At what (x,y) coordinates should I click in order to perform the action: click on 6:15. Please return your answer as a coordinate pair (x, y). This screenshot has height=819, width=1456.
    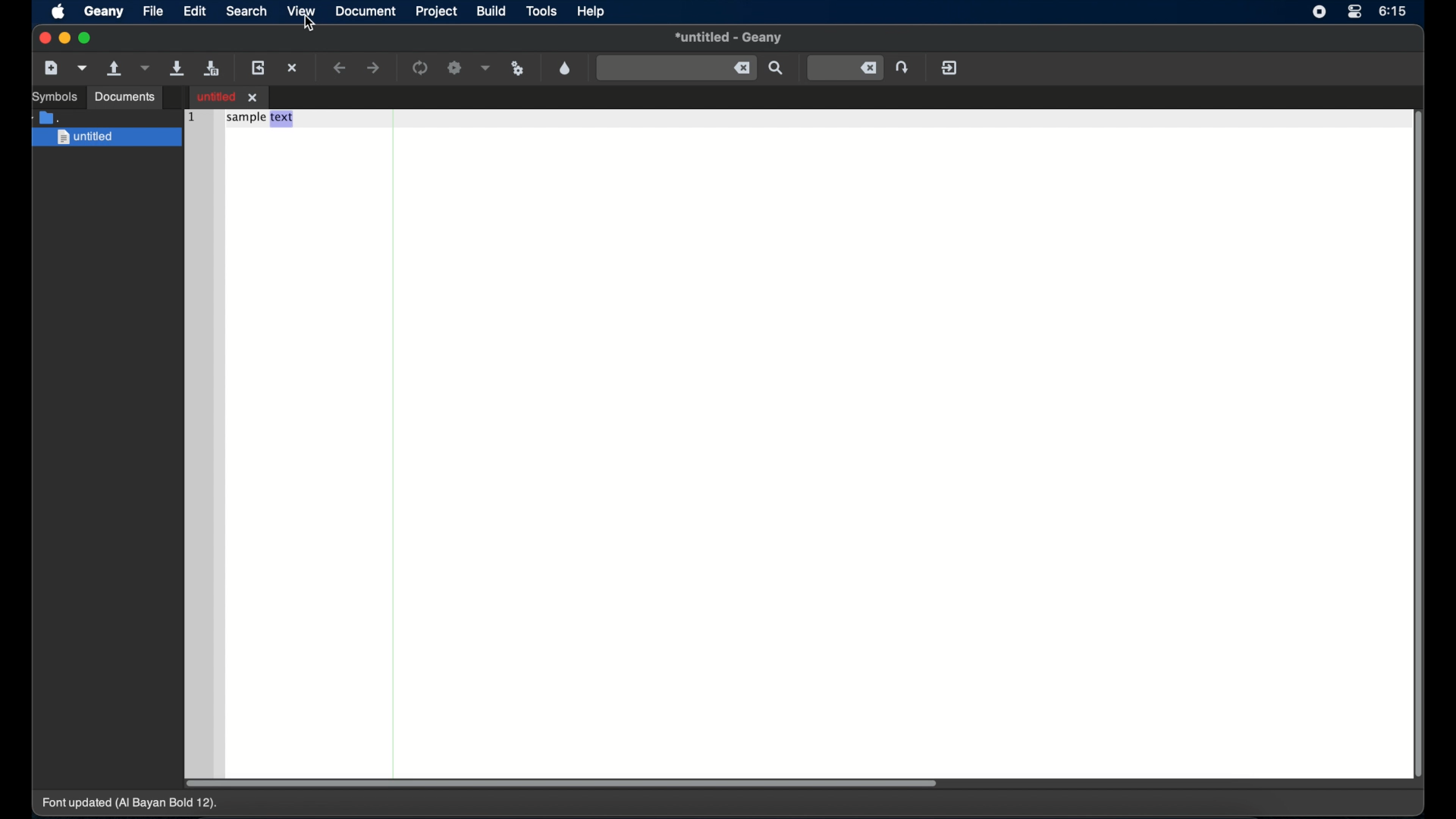
    Looking at the image, I should click on (1393, 11).